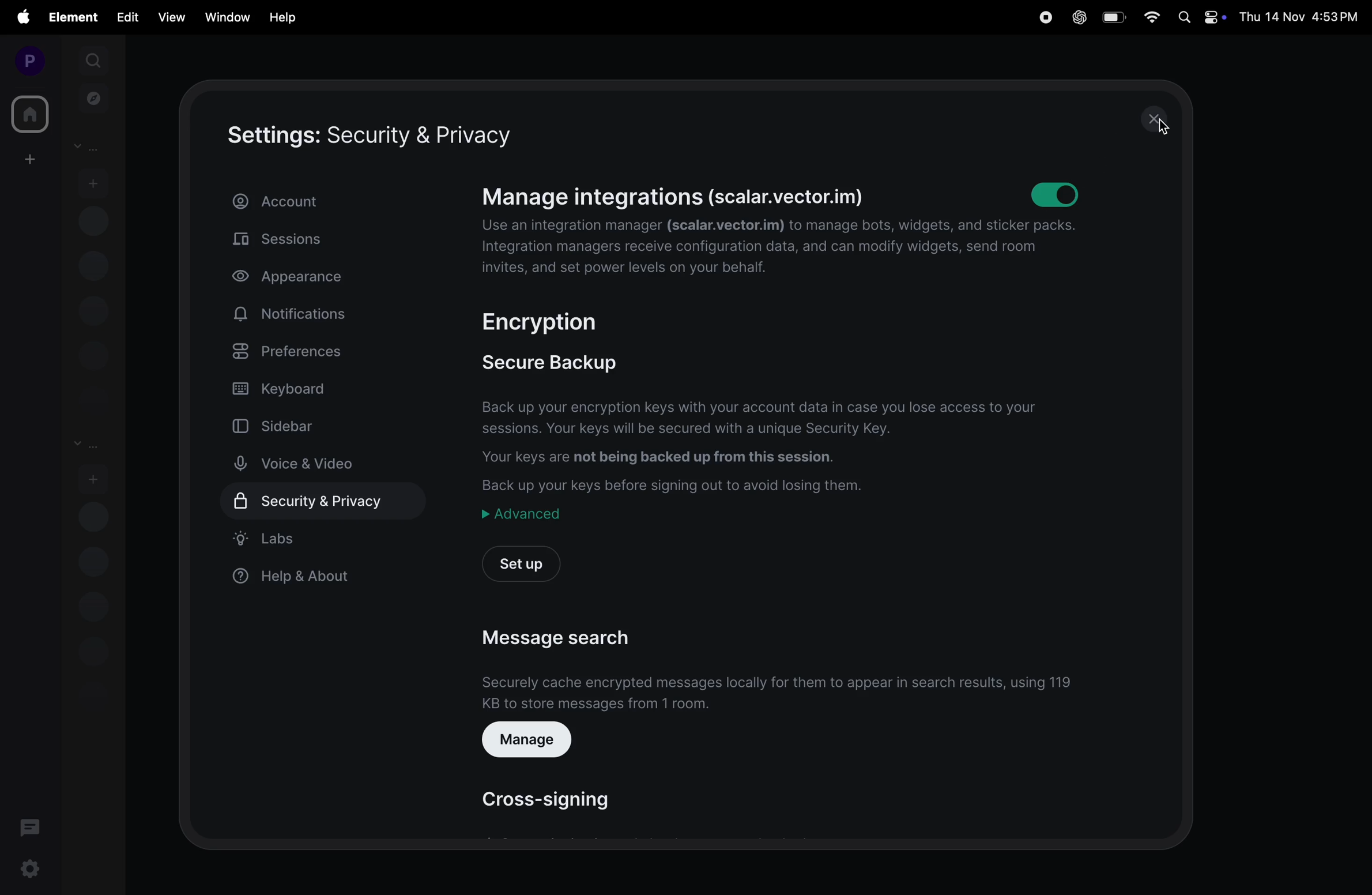 Image resolution: width=1372 pixels, height=895 pixels. Describe the element at coordinates (20, 17) in the screenshot. I see `apple menu` at that location.